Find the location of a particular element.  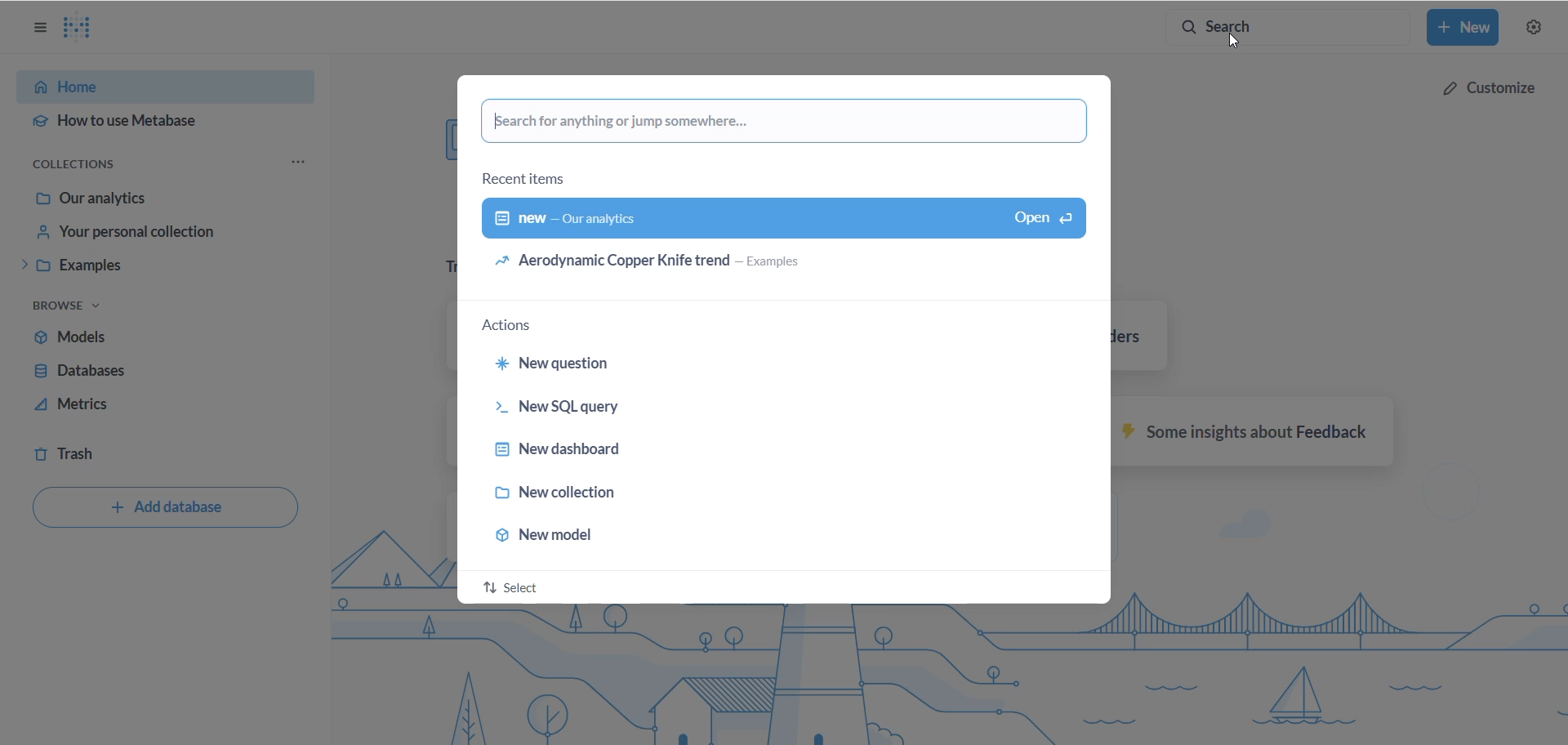

customize is located at coordinates (1488, 87).